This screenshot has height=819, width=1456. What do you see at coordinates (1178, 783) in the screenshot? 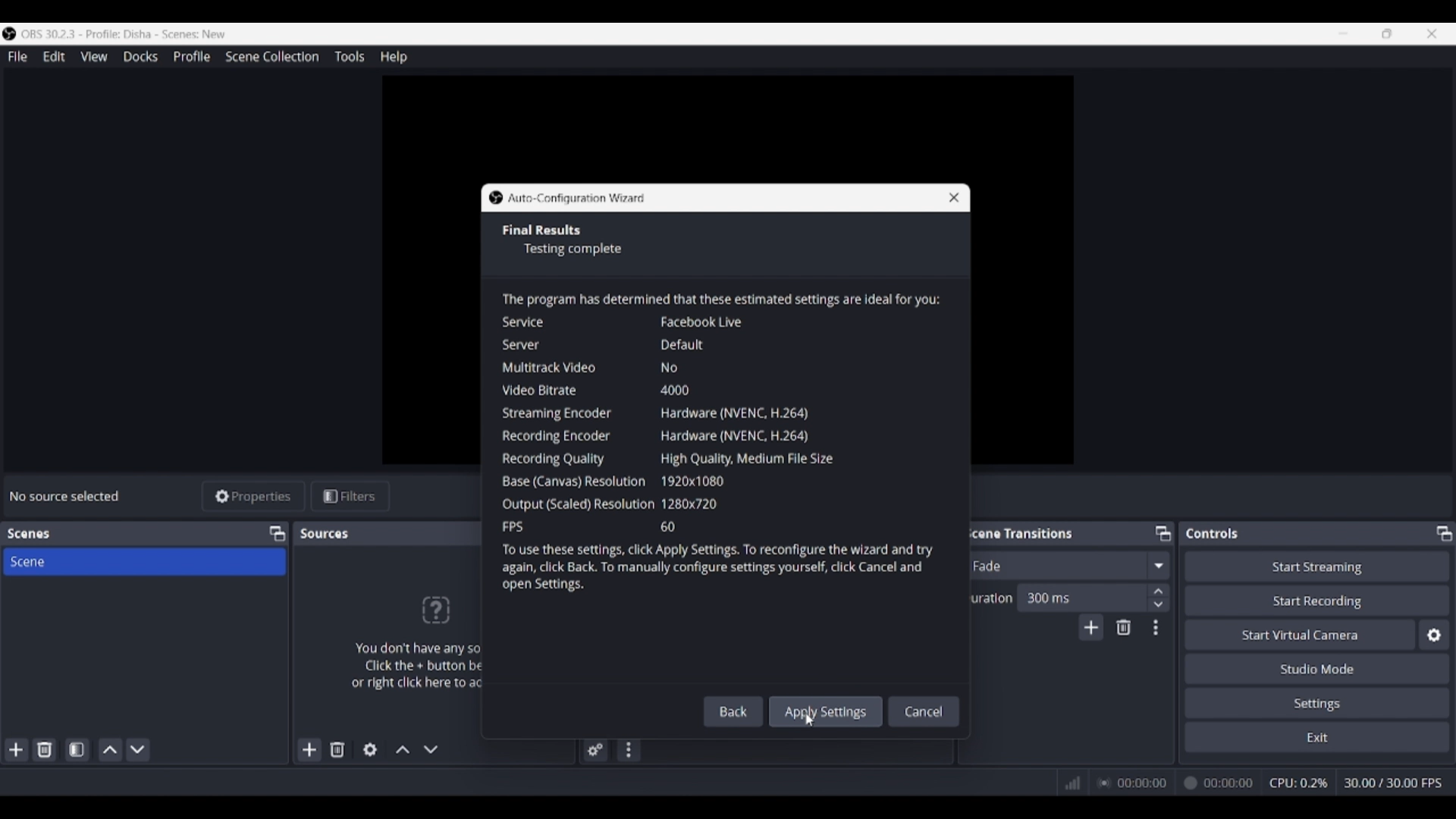
I see `00:00:00` at bounding box center [1178, 783].